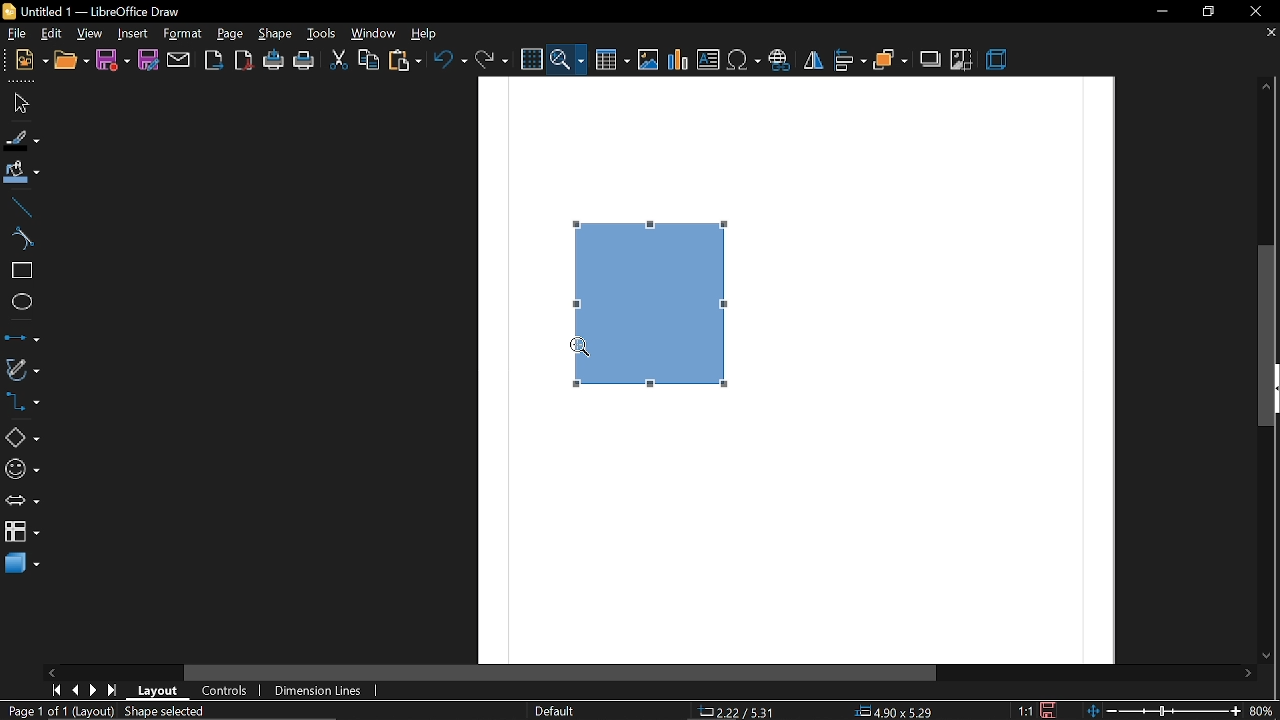 This screenshot has width=1280, height=720. Describe the element at coordinates (103, 12) in the screenshot. I see `| Untitled 1 — LibreOffice Draw` at that location.